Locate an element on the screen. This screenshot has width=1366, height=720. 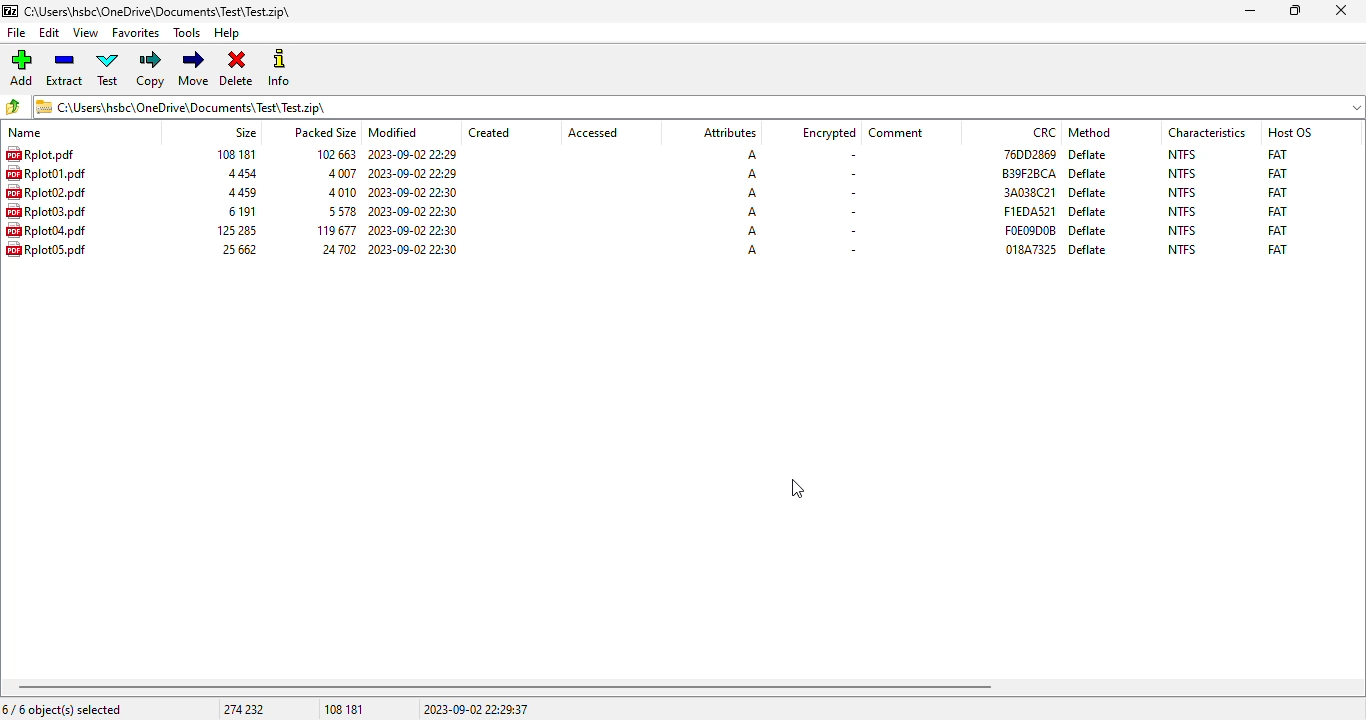
2023-09-02 22:29:37 is located at coordinates (476, 709).